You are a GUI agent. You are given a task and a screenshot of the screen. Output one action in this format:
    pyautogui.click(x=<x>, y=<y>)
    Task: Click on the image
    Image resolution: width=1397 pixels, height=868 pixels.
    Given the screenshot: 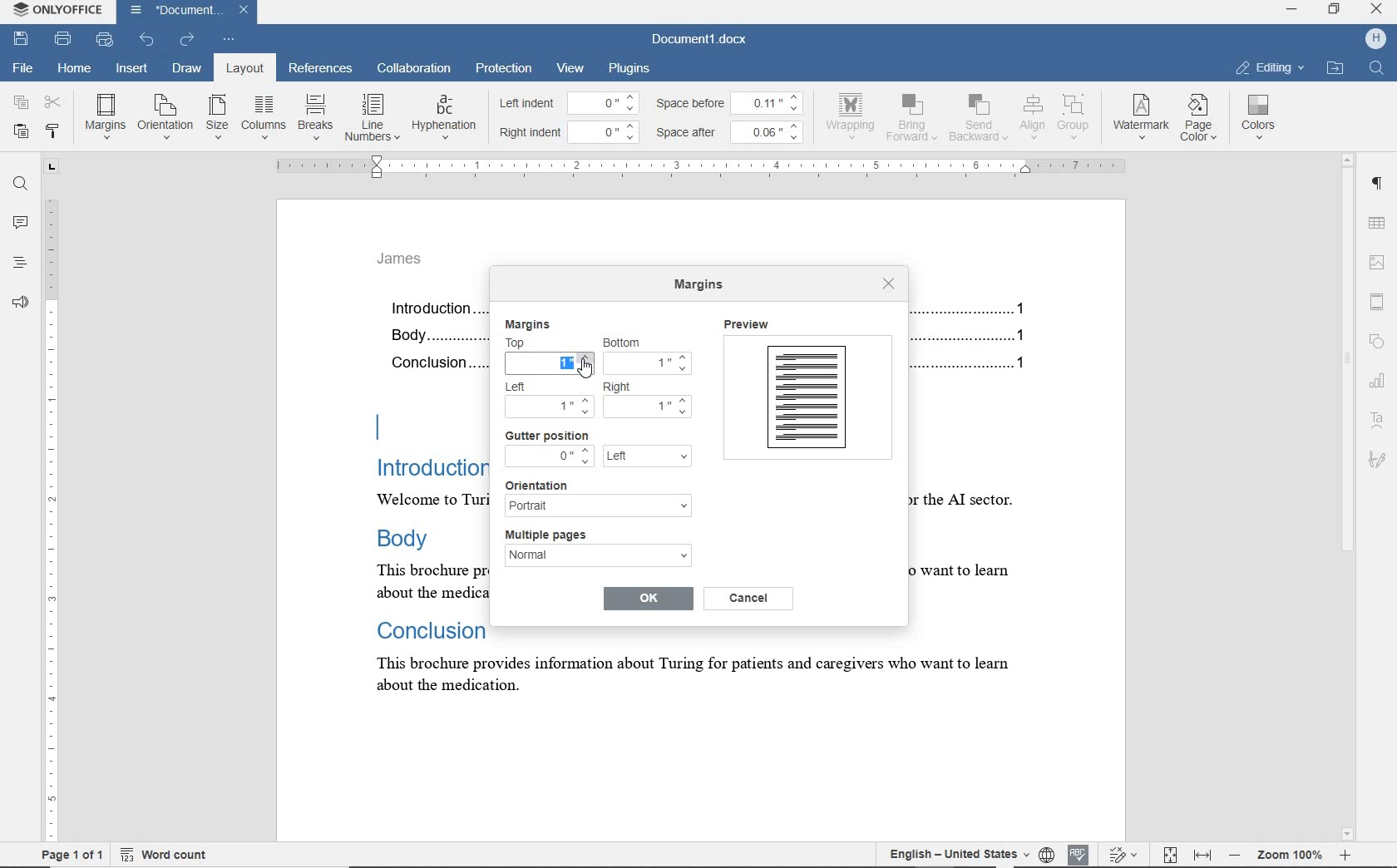 What is the action you would take?
    pyautogui.click(x=1379, y=260)
    